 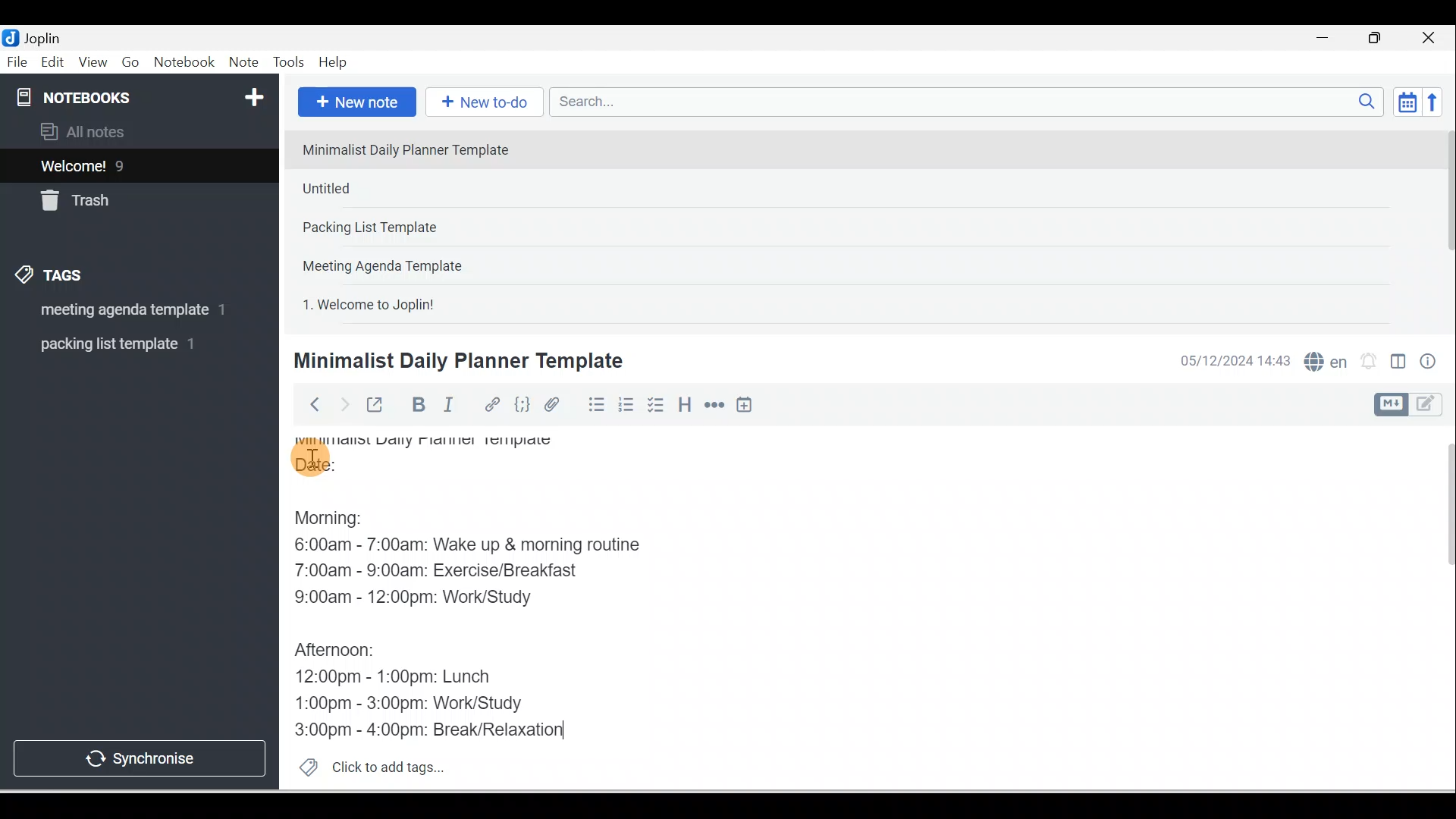 What do you see at coordinates (419, 600) in the screenshot?
I see `9:00am - 12:00pm: Work/Study` at bounding box center [419, 600].